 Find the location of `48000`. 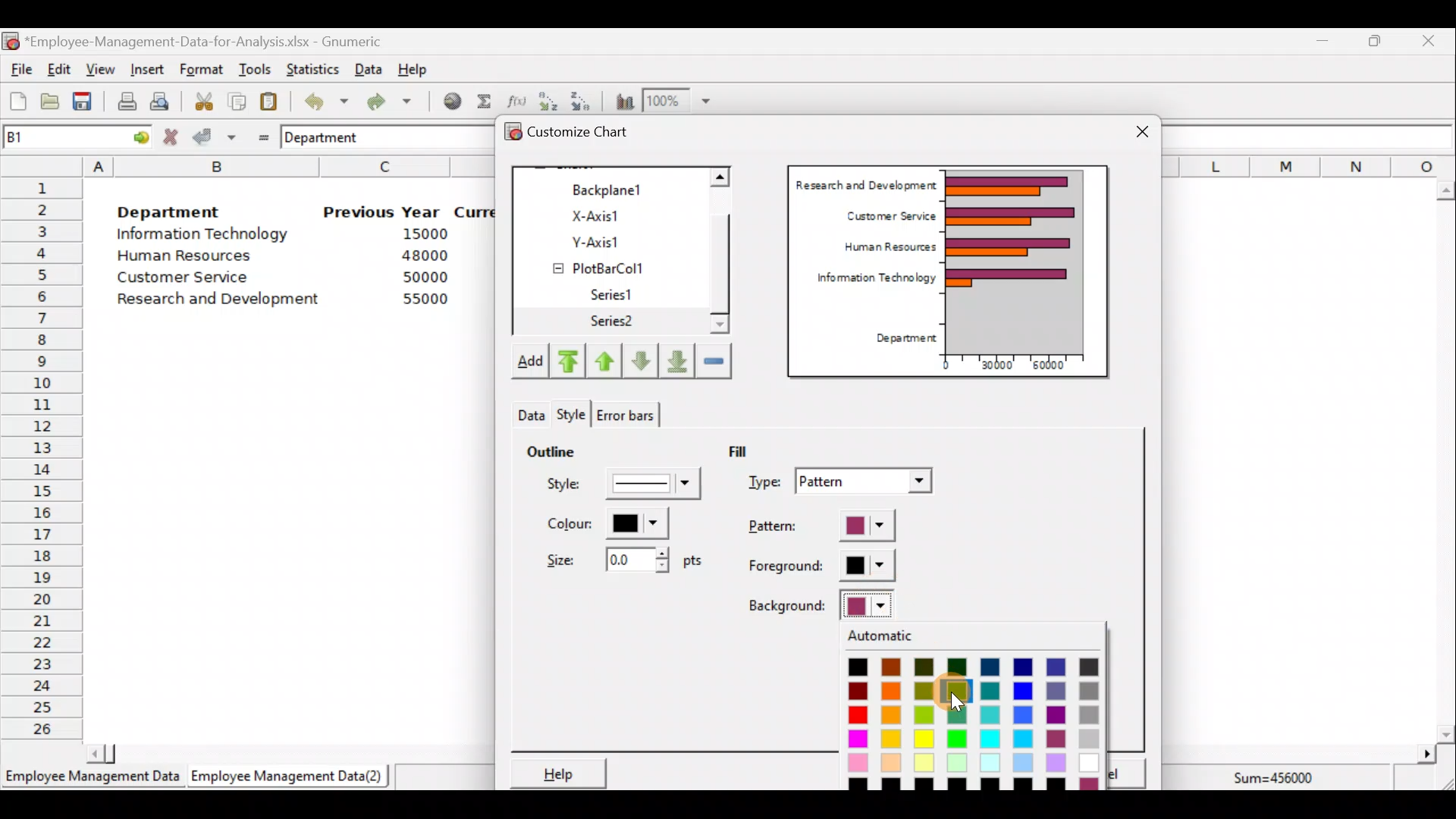

48000 is located at coordinates (424, 256).